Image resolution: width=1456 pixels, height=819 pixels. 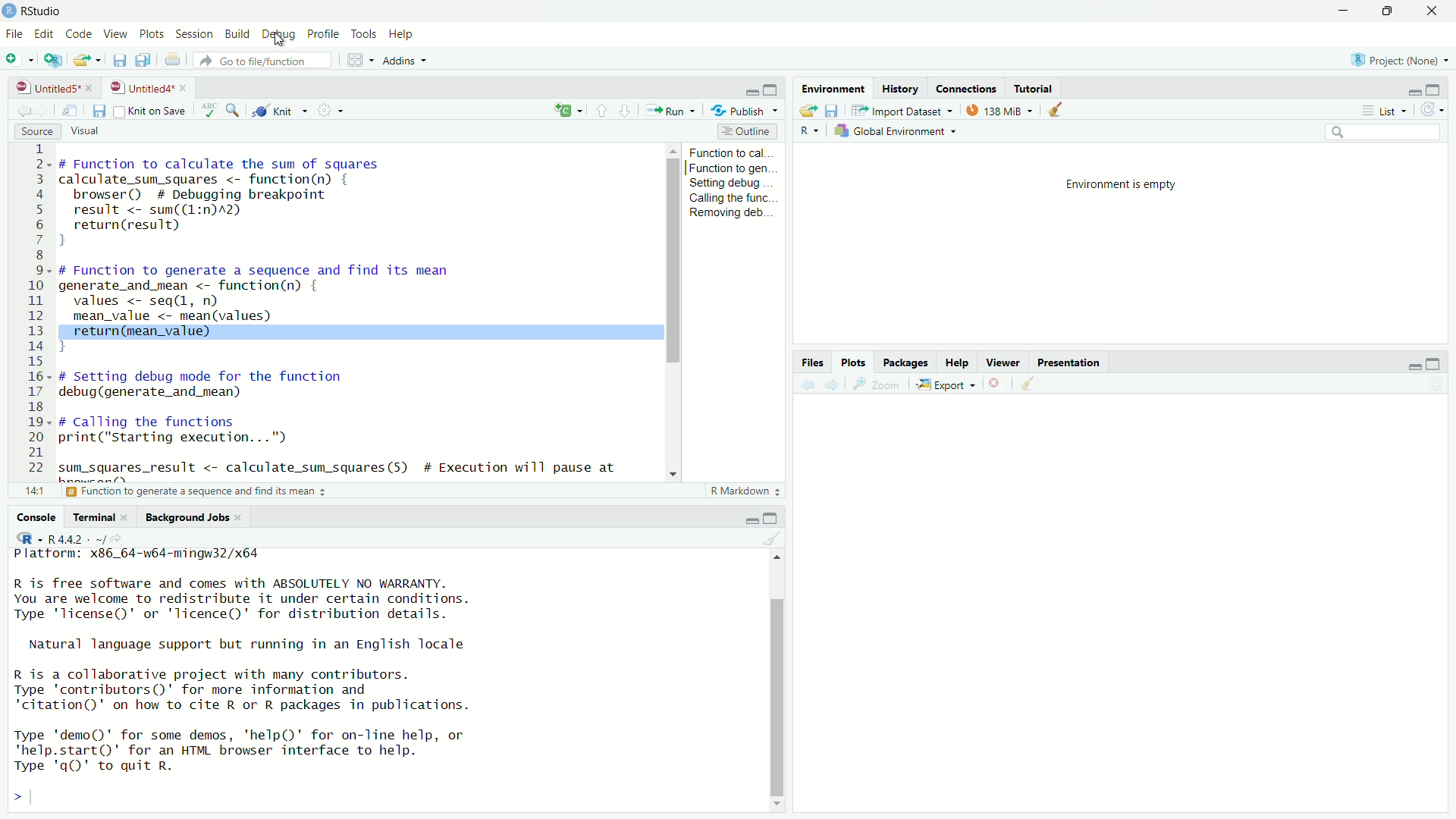 I want to click on maximize, so click(x=1437, y=88).